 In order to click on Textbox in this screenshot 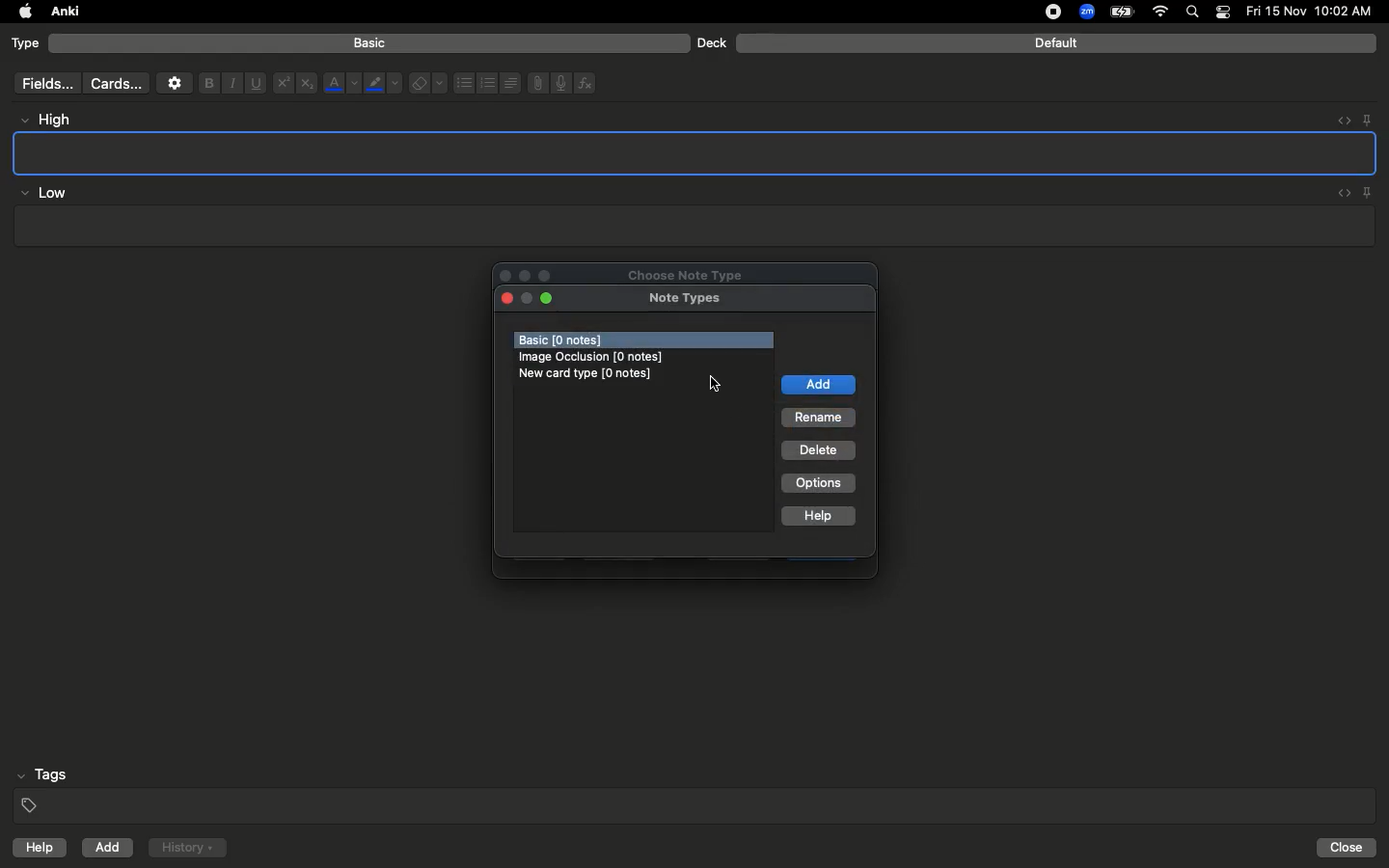, I will do `click(696, 152)`.